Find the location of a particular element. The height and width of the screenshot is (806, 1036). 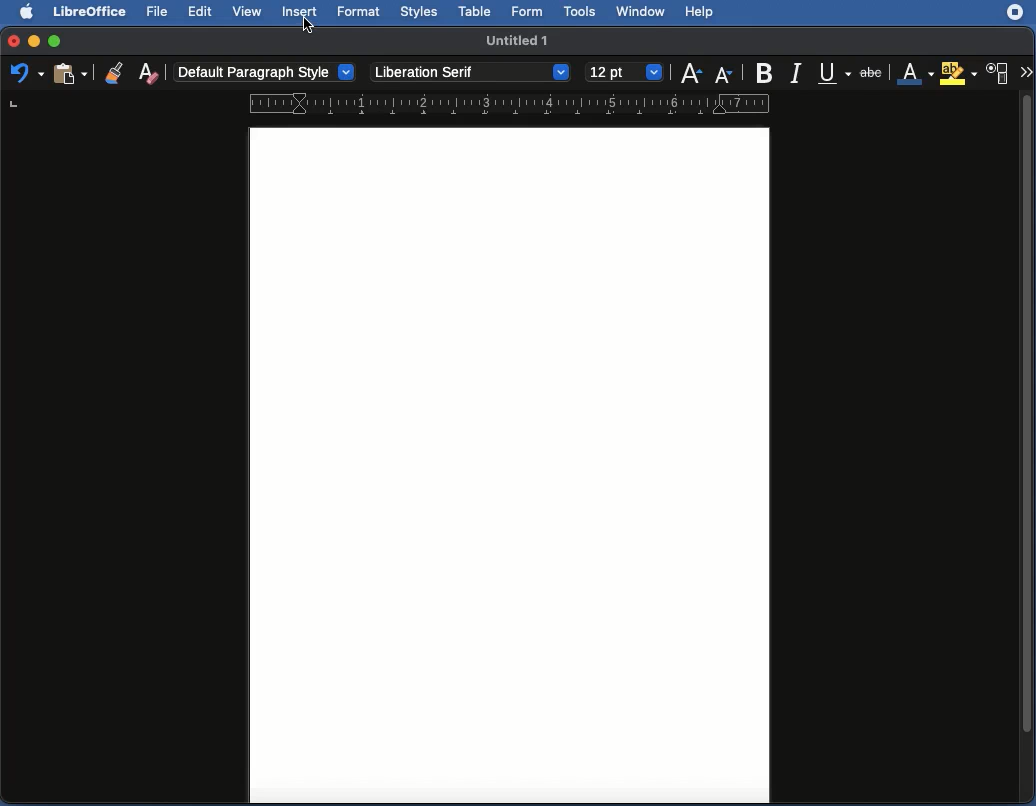

Clone formatting is located at coordinates (115, 70).